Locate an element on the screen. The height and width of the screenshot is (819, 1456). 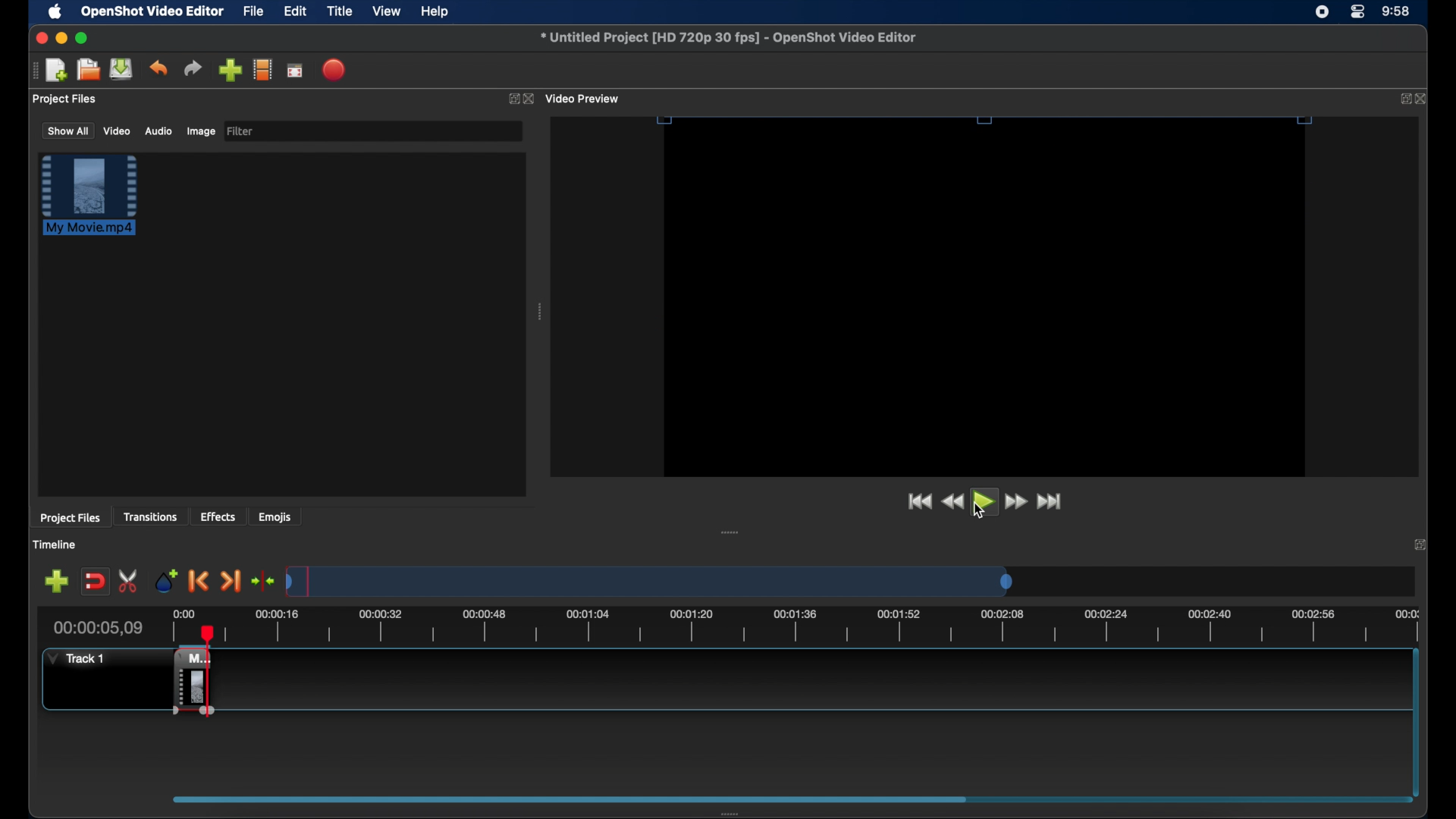
timeline scale is located at coordinates (654, 581).